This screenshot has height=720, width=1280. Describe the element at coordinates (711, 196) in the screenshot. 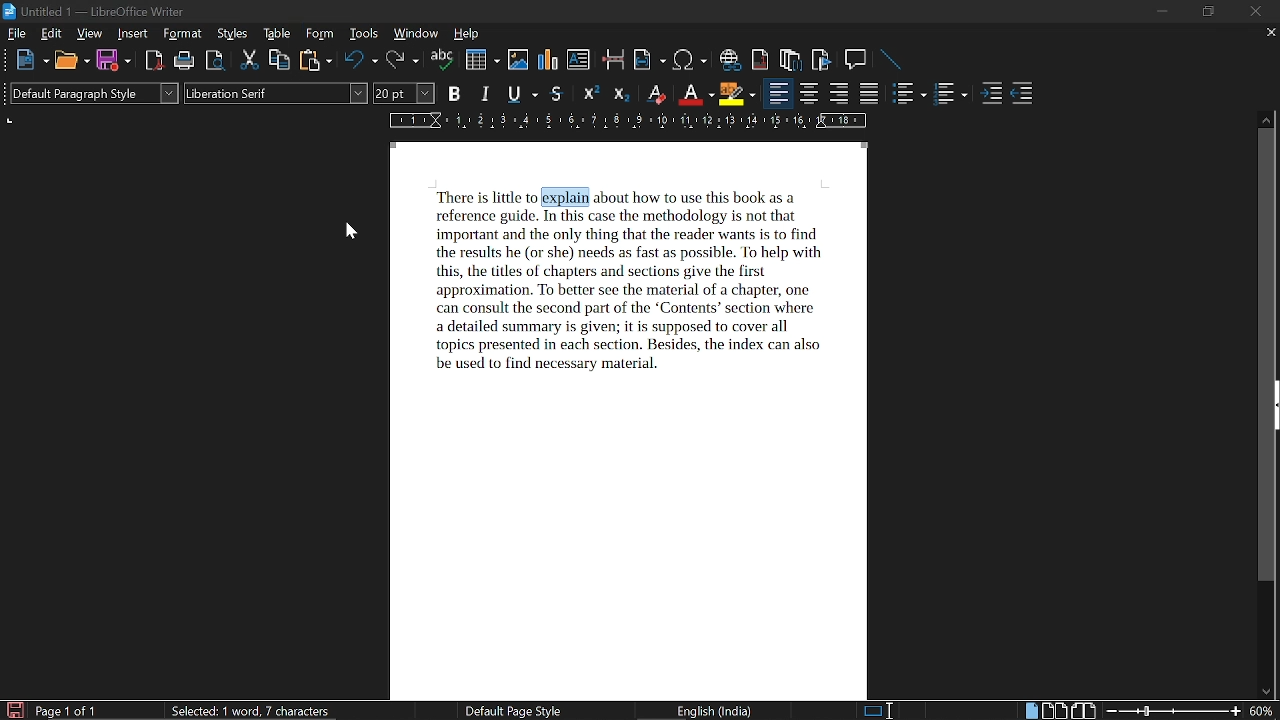

I see `TT — —` at that location.